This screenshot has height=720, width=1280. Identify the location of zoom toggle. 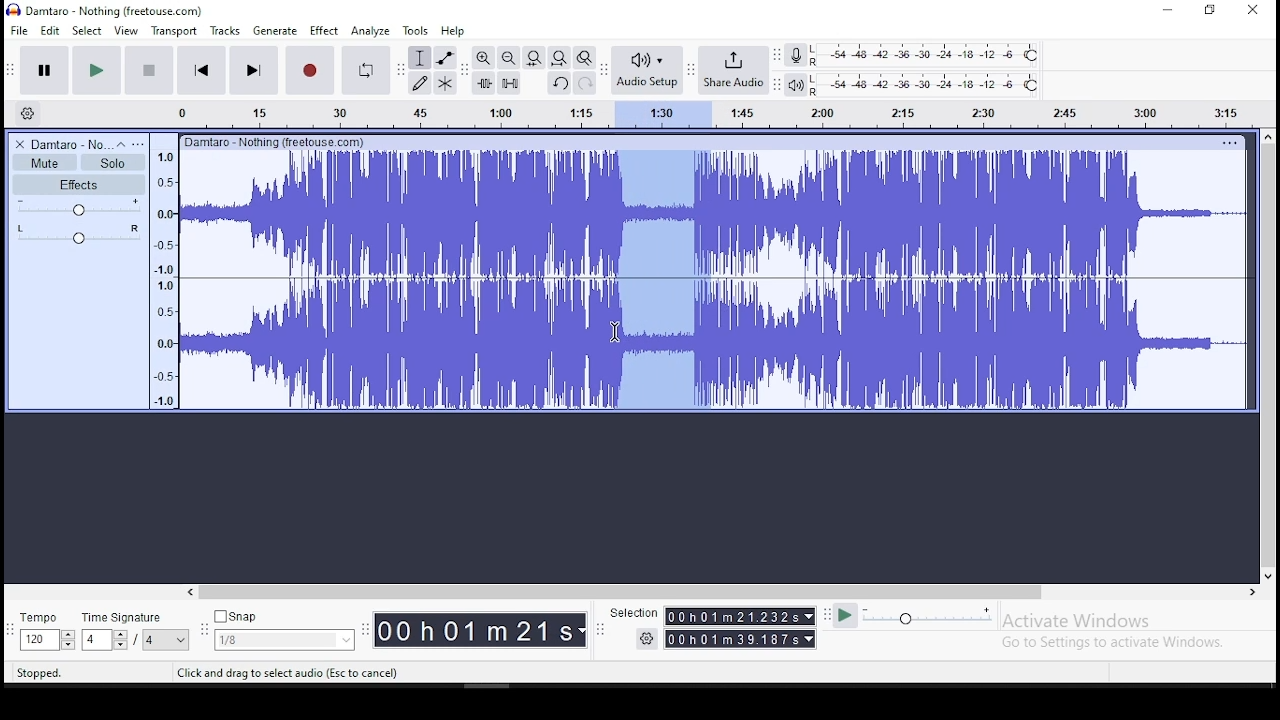
(583, 59).